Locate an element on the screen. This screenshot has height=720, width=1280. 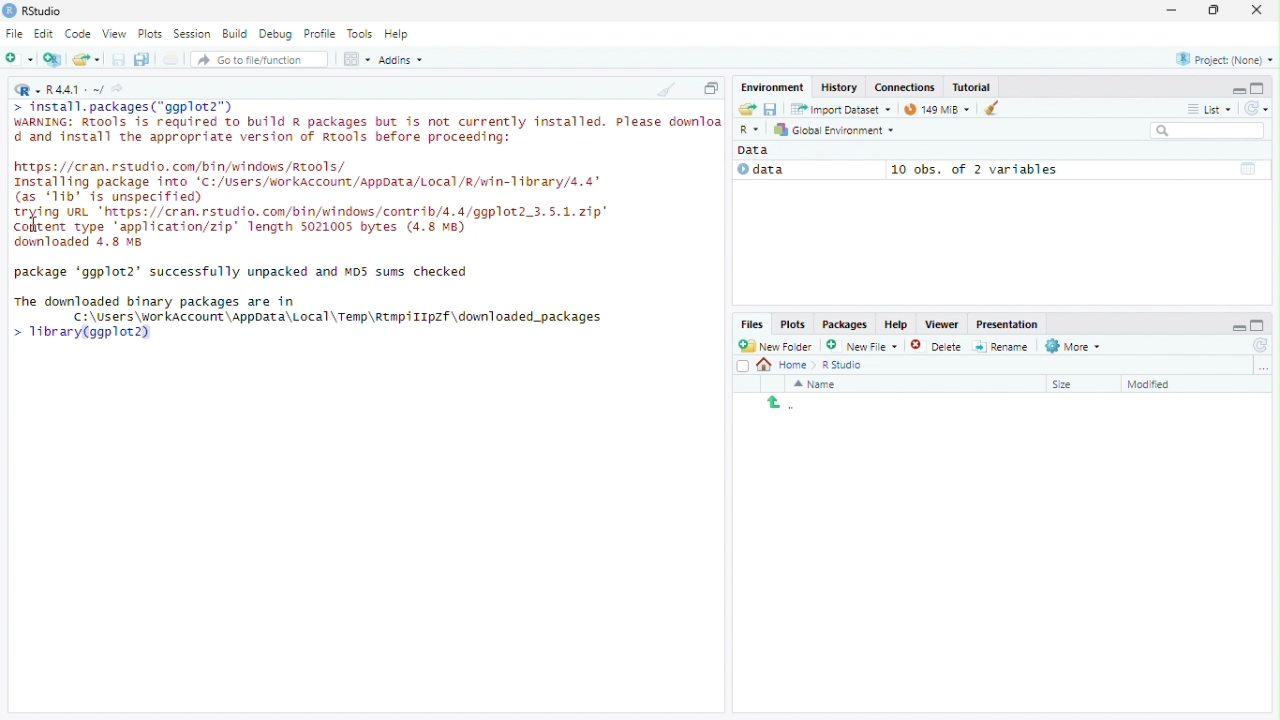
Create a new file is located at coordinates (20, 59).